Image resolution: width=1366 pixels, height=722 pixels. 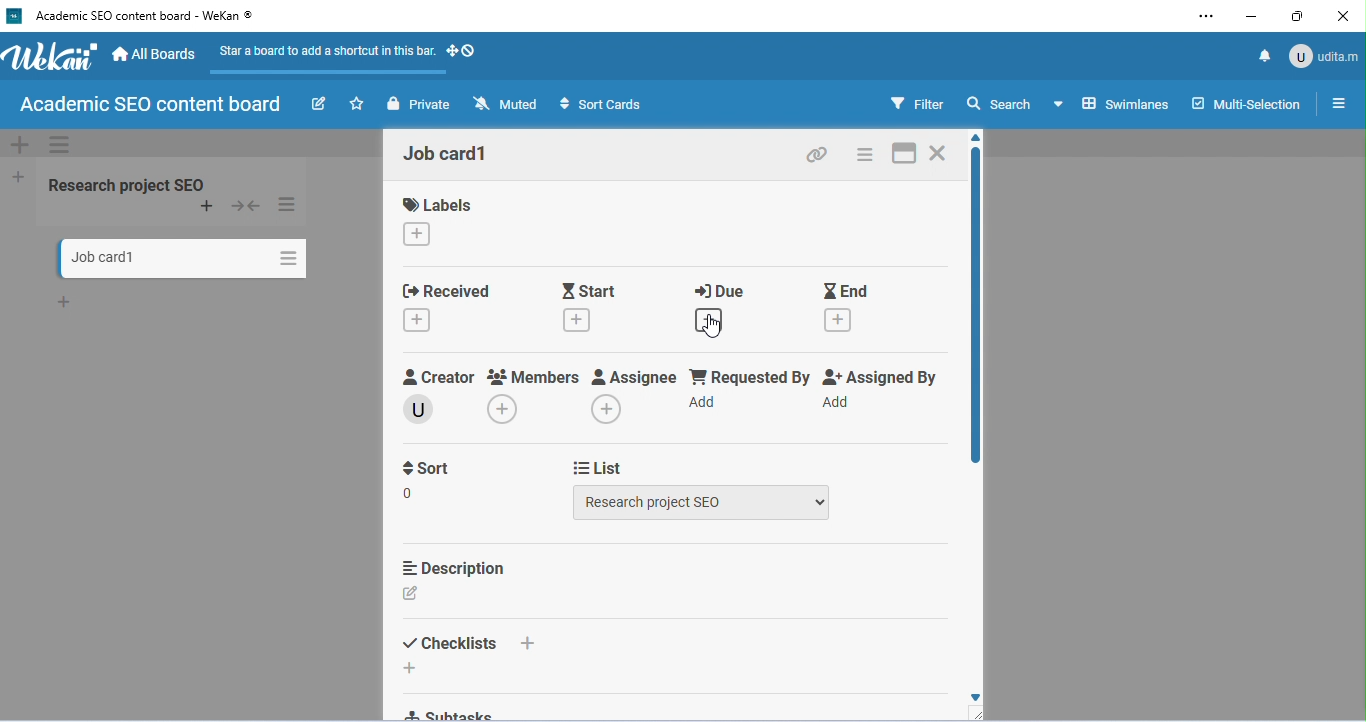 What do you see at coordinates (590, 290) in the screenshot?
I see `start` at bounding box center [590, 290].